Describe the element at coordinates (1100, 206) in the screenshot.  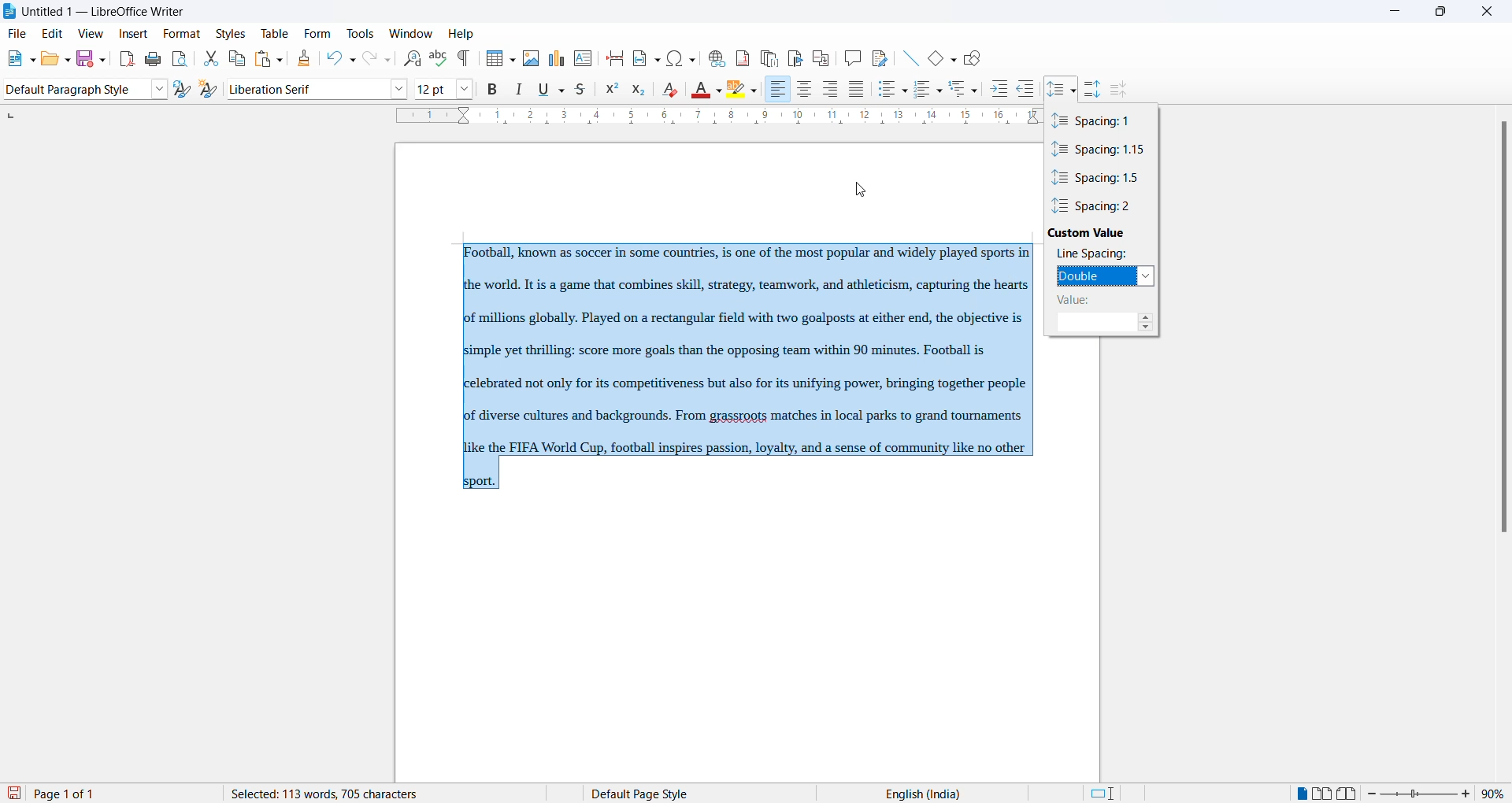
I see `spacing value 2` at that location.